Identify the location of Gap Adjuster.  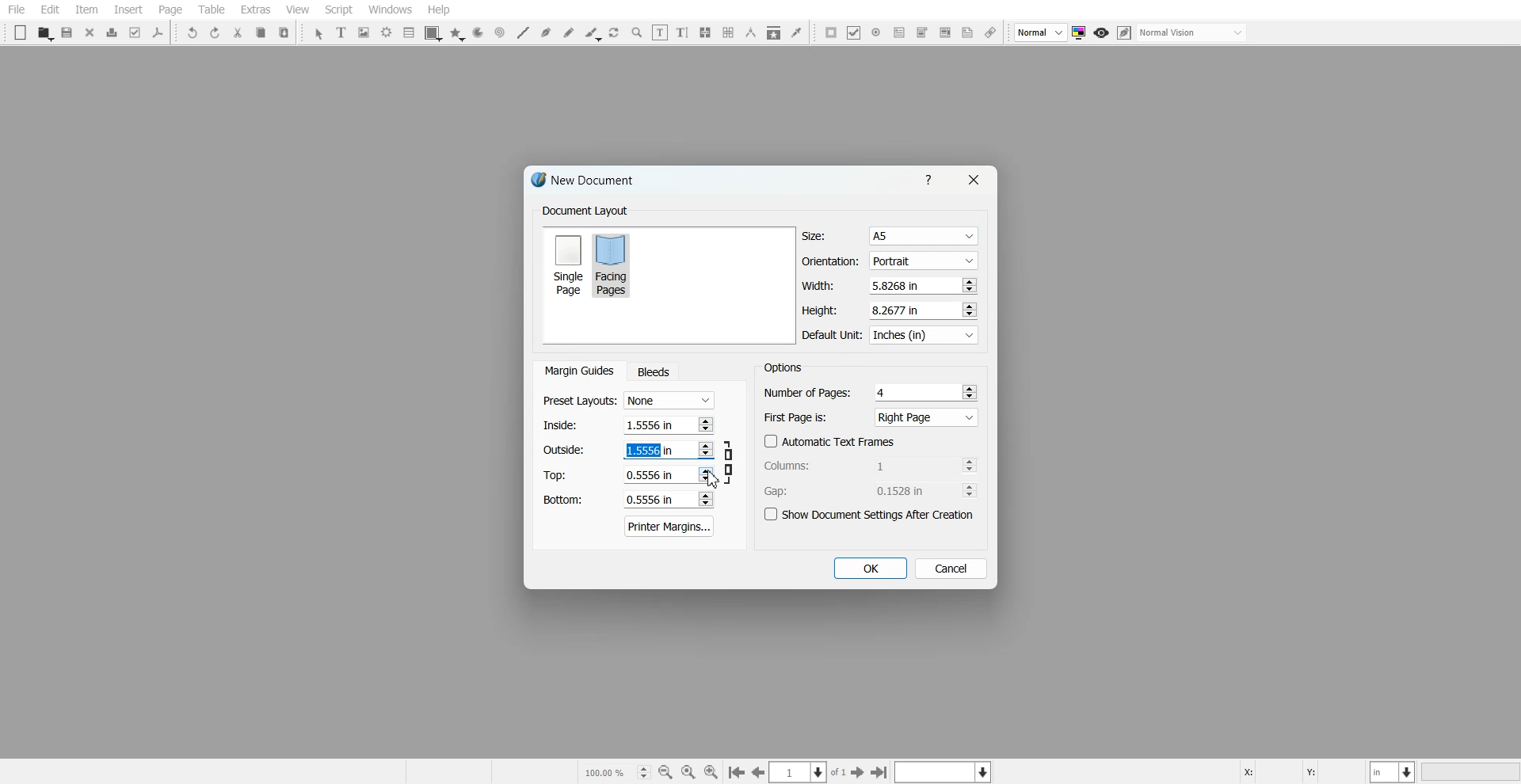
(871, 490).